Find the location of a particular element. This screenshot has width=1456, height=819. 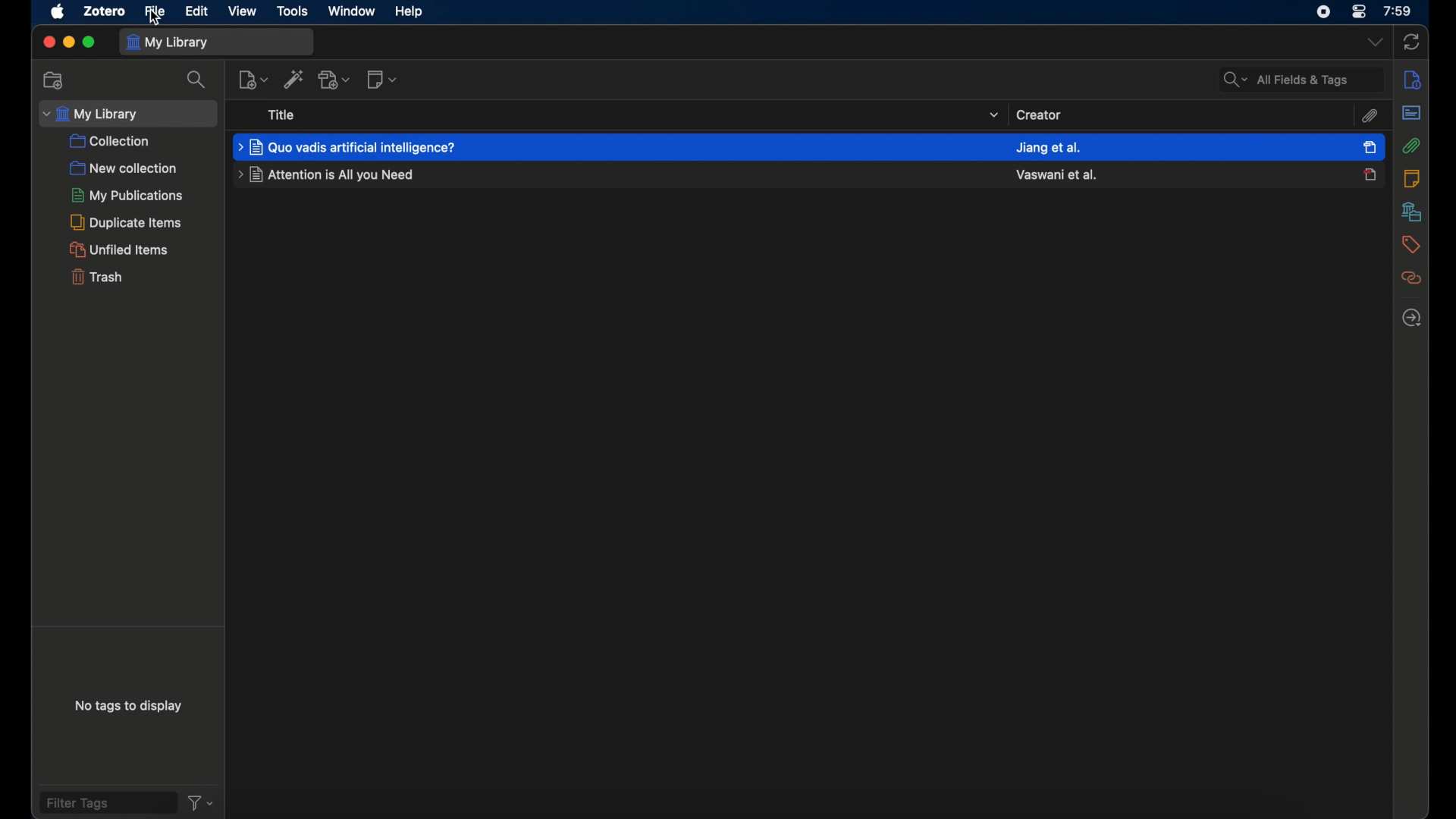

filter tags fields is located at coordinates (107, 802).